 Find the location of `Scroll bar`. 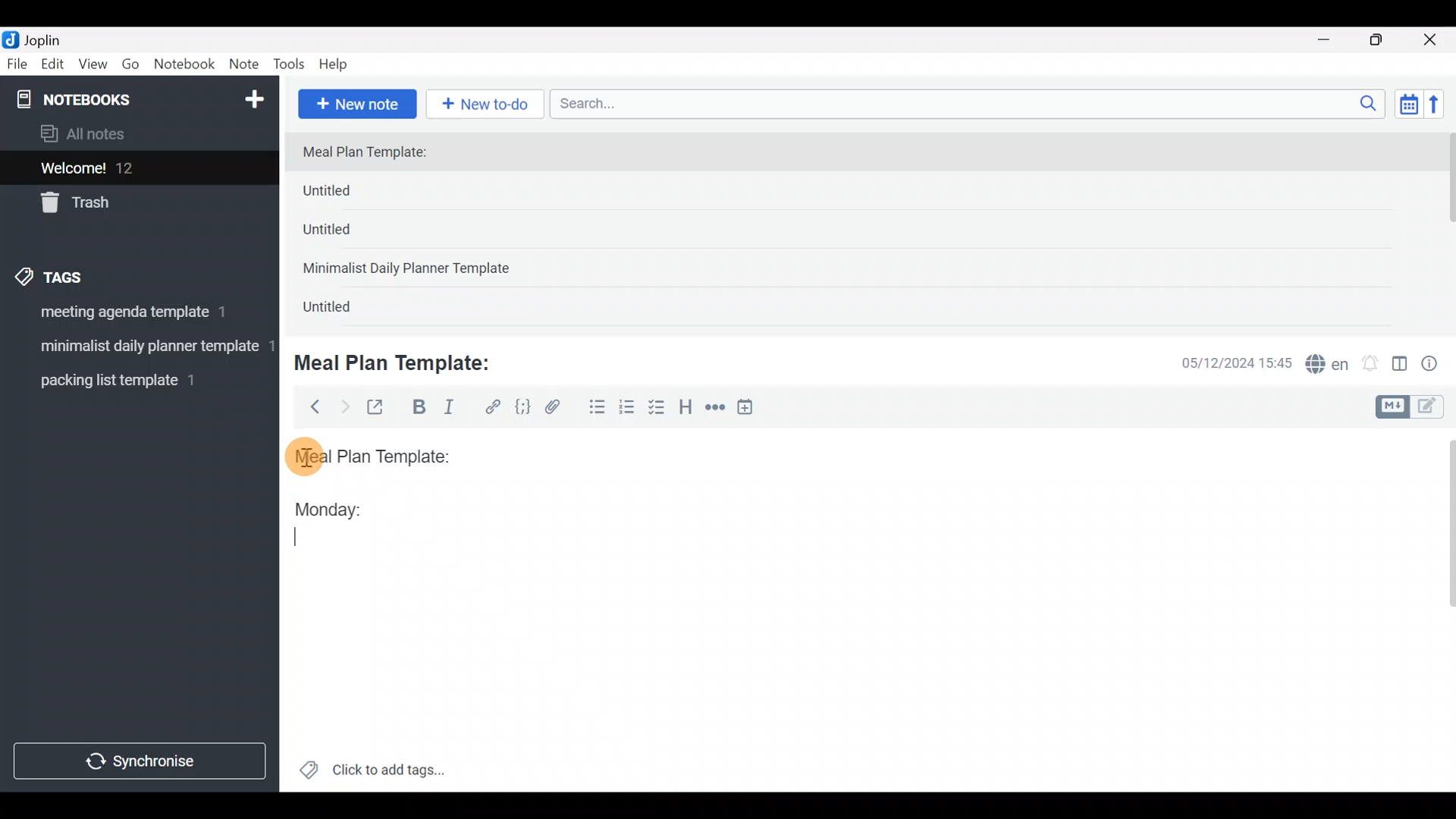

Scroll bar is located at coordinates (1440, 610).